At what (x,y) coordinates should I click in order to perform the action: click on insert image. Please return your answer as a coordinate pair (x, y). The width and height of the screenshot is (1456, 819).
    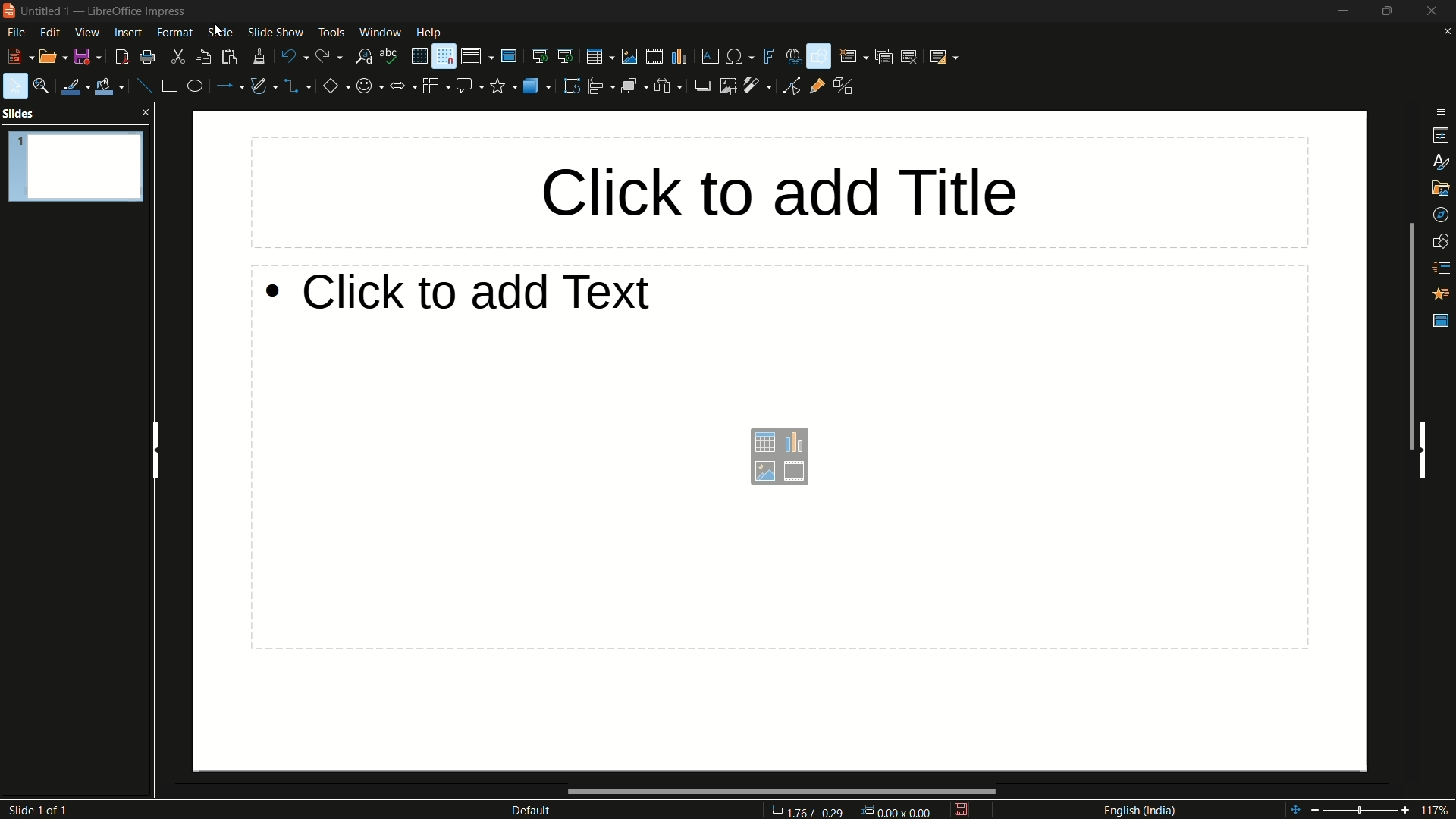
    Looking at the image, I should click on (765, 472).